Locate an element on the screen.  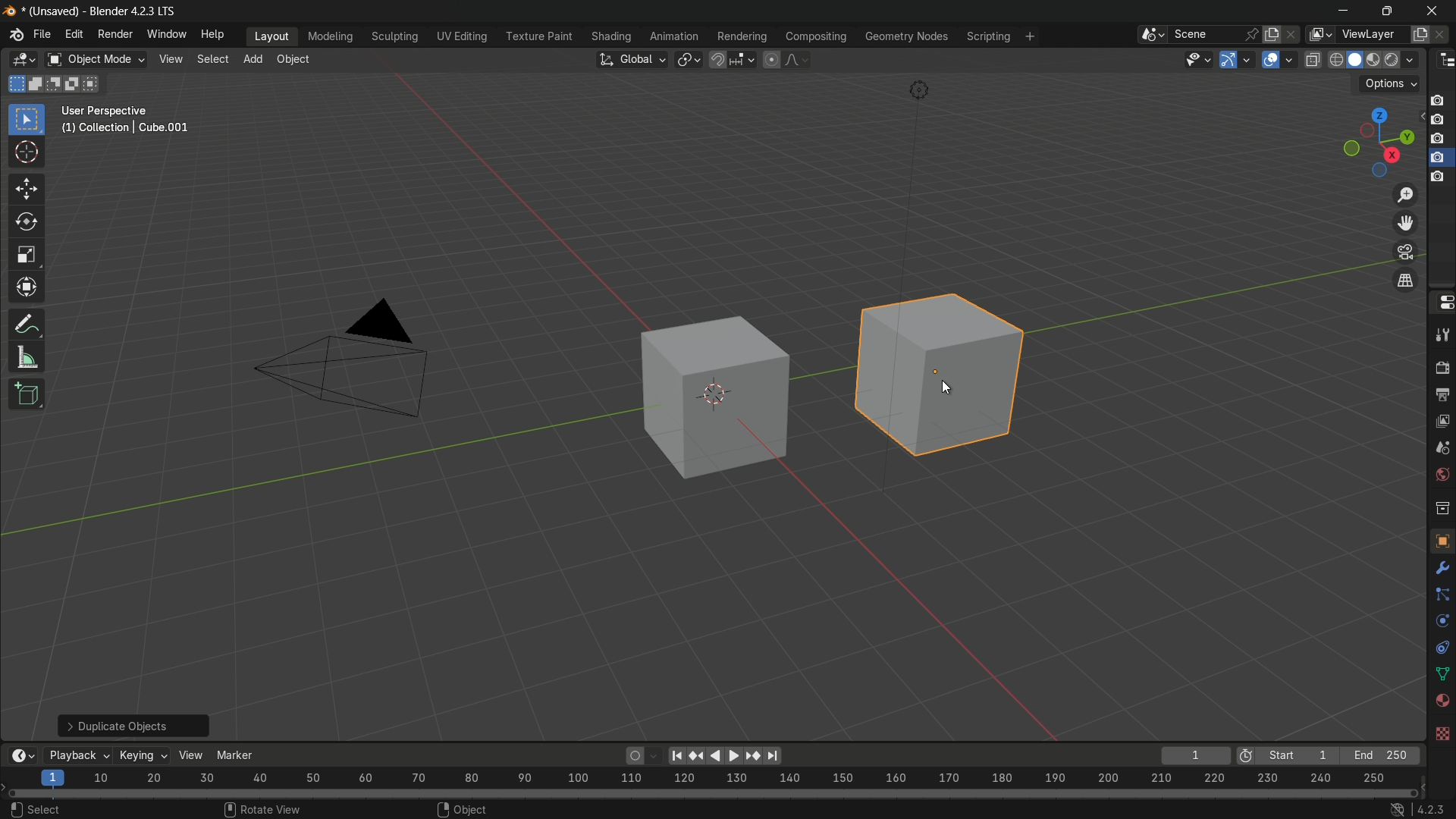
physics is located at coordinates (1441, 623).